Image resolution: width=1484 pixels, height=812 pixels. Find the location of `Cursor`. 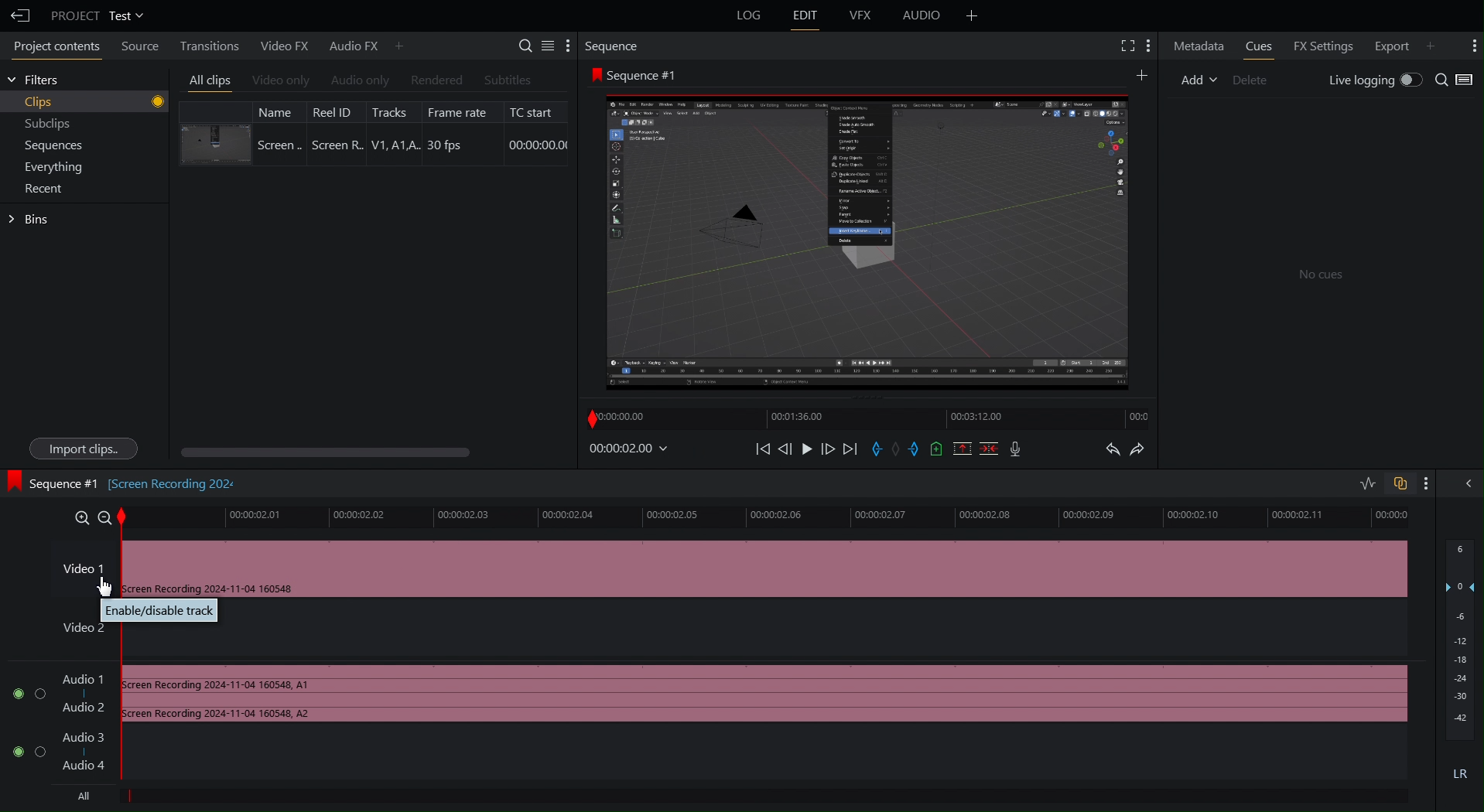

Cursor is located at coordinates (106, 585).